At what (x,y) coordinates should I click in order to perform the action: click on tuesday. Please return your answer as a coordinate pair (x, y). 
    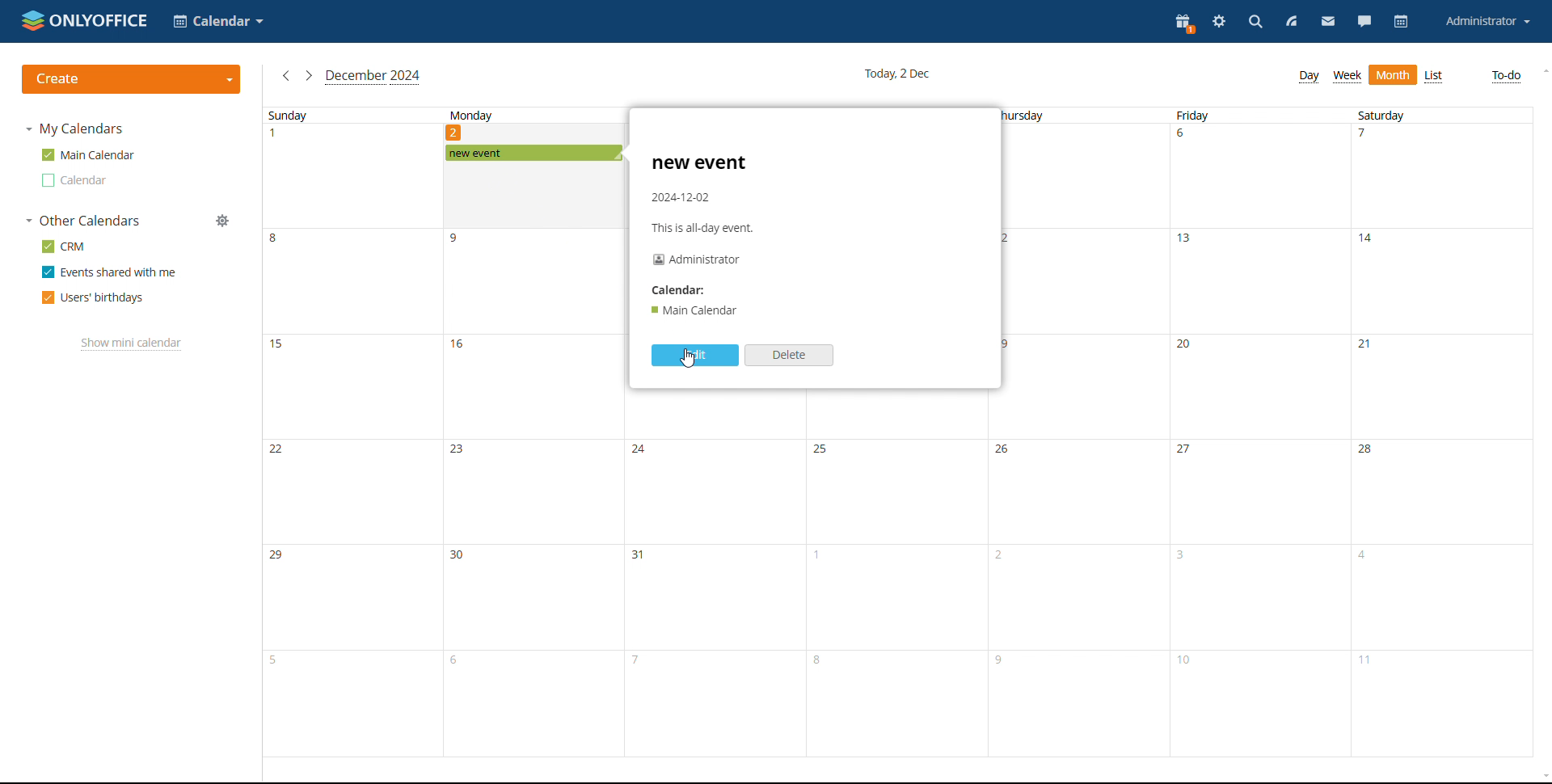
    Looking at the image, I should click on (716, 597).